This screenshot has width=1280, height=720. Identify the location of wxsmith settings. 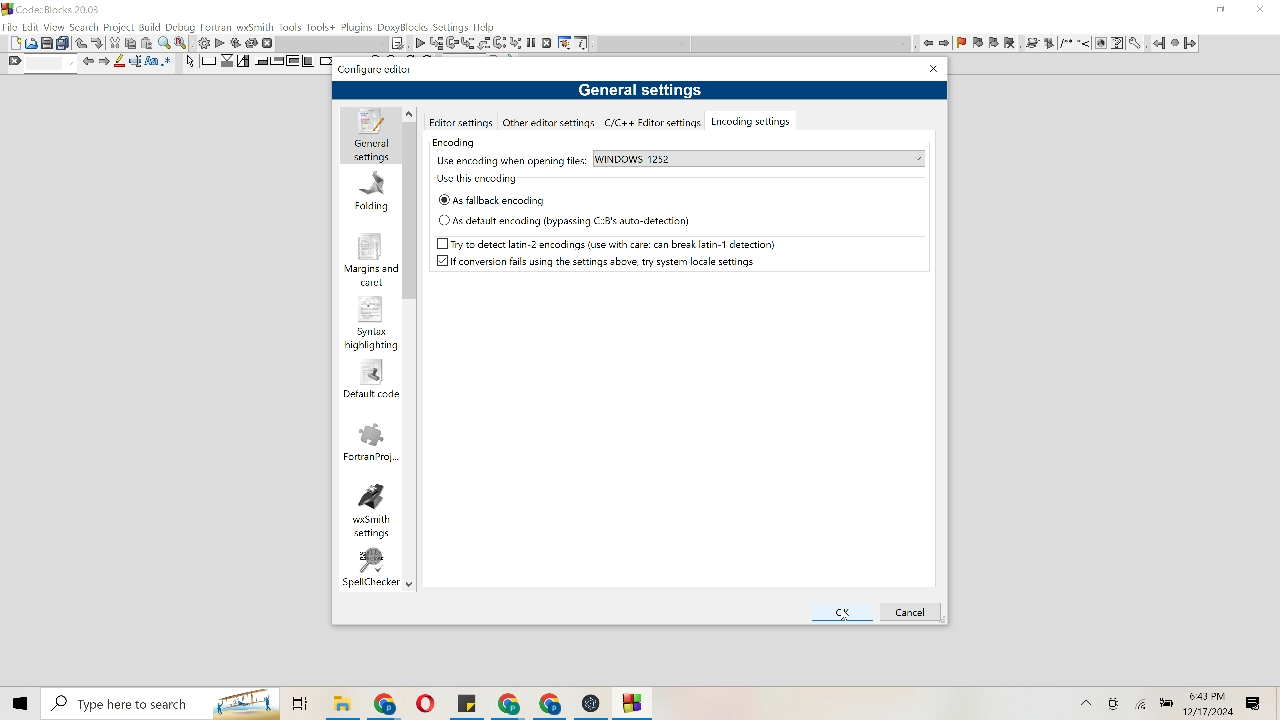
(370, 510).